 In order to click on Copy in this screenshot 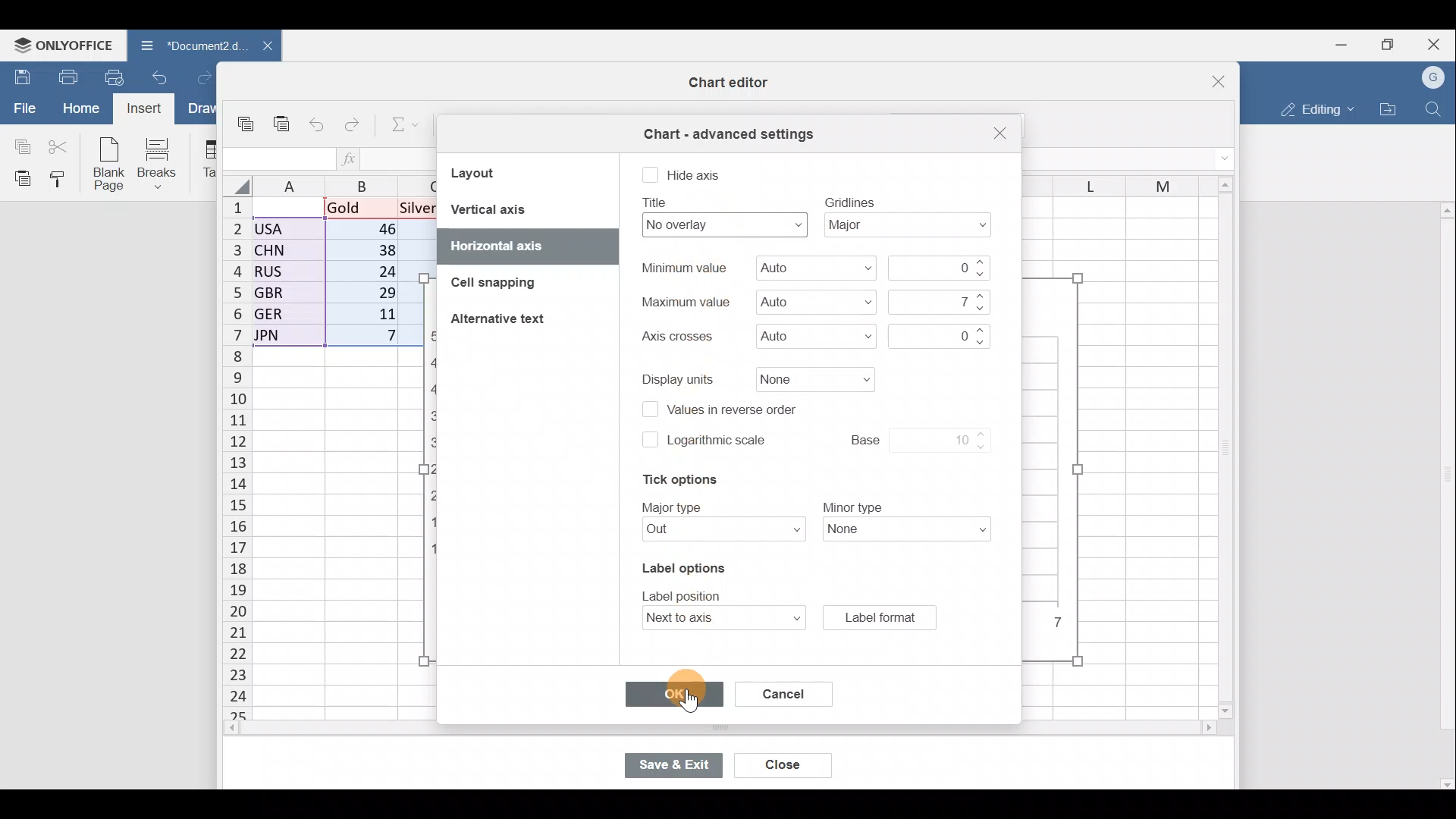, I will do `click(19, 145)`.